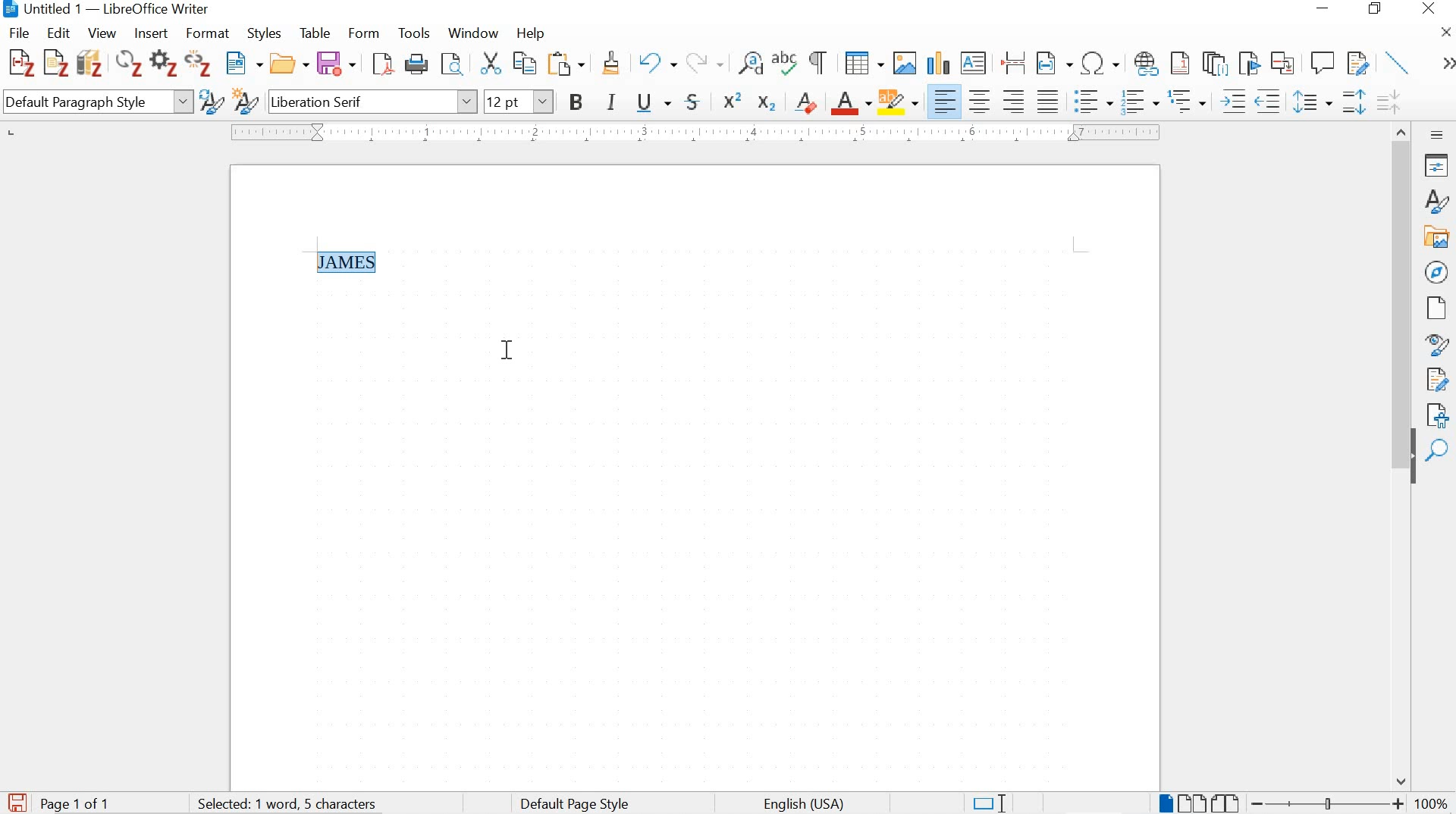  I want to click on view, so click(101, 33).